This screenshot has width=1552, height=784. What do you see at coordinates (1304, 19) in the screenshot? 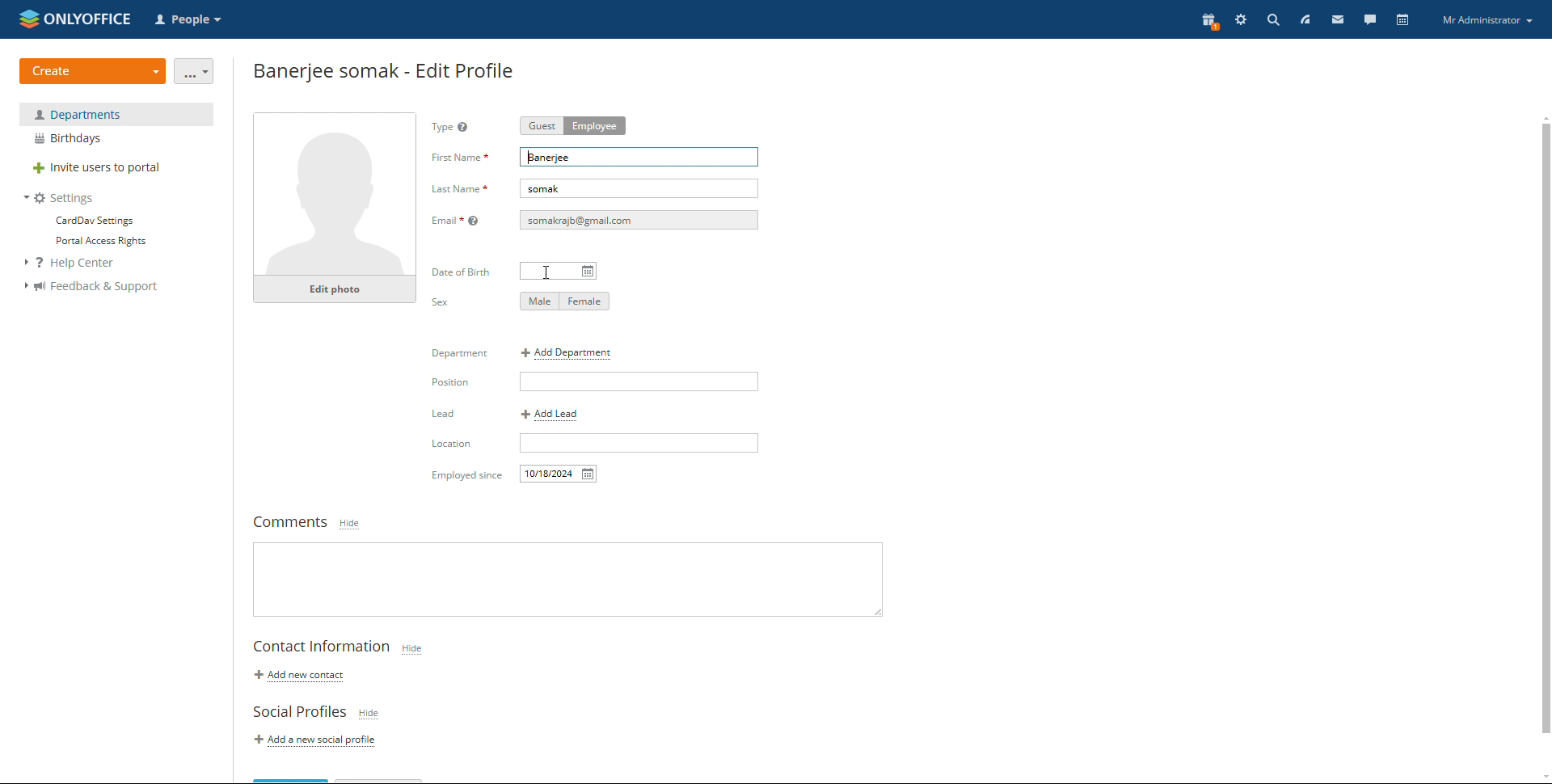
I see `feed` at bounding box center [1304, 19].